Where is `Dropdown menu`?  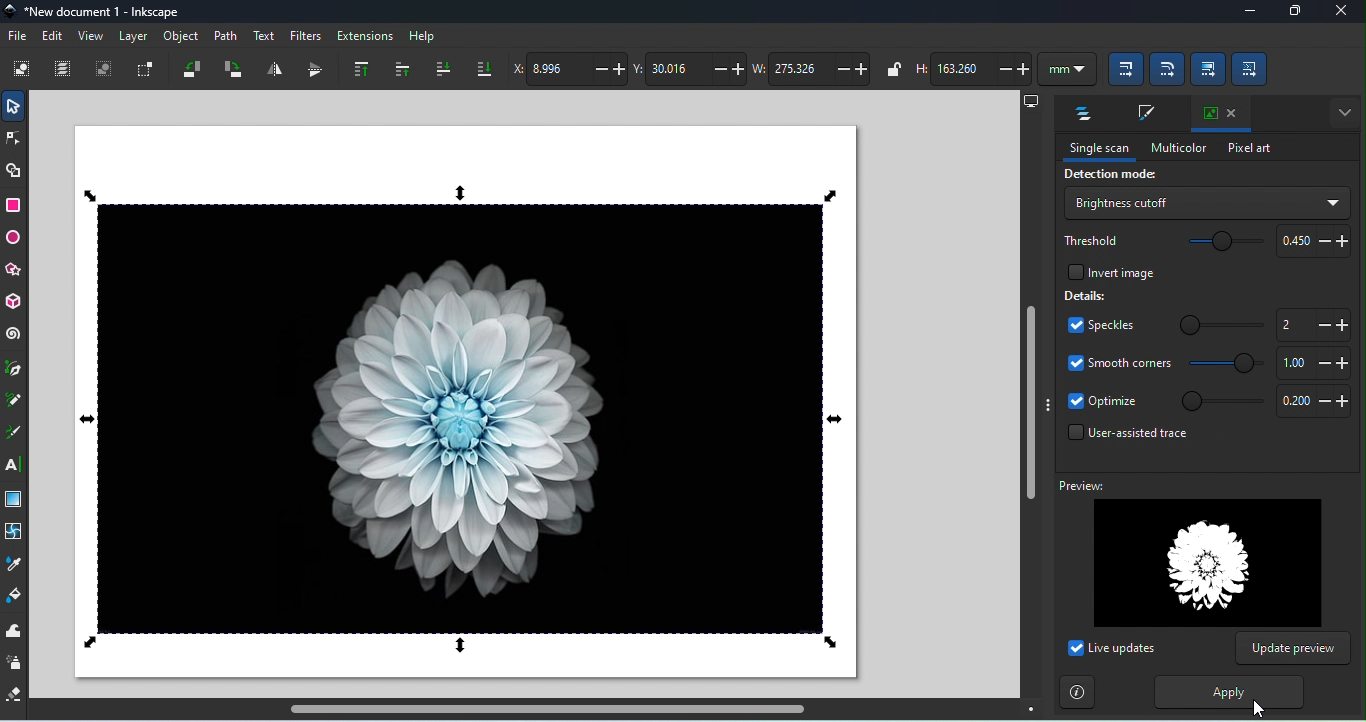
Dropdown menu is located at coordinates (1205, 202).